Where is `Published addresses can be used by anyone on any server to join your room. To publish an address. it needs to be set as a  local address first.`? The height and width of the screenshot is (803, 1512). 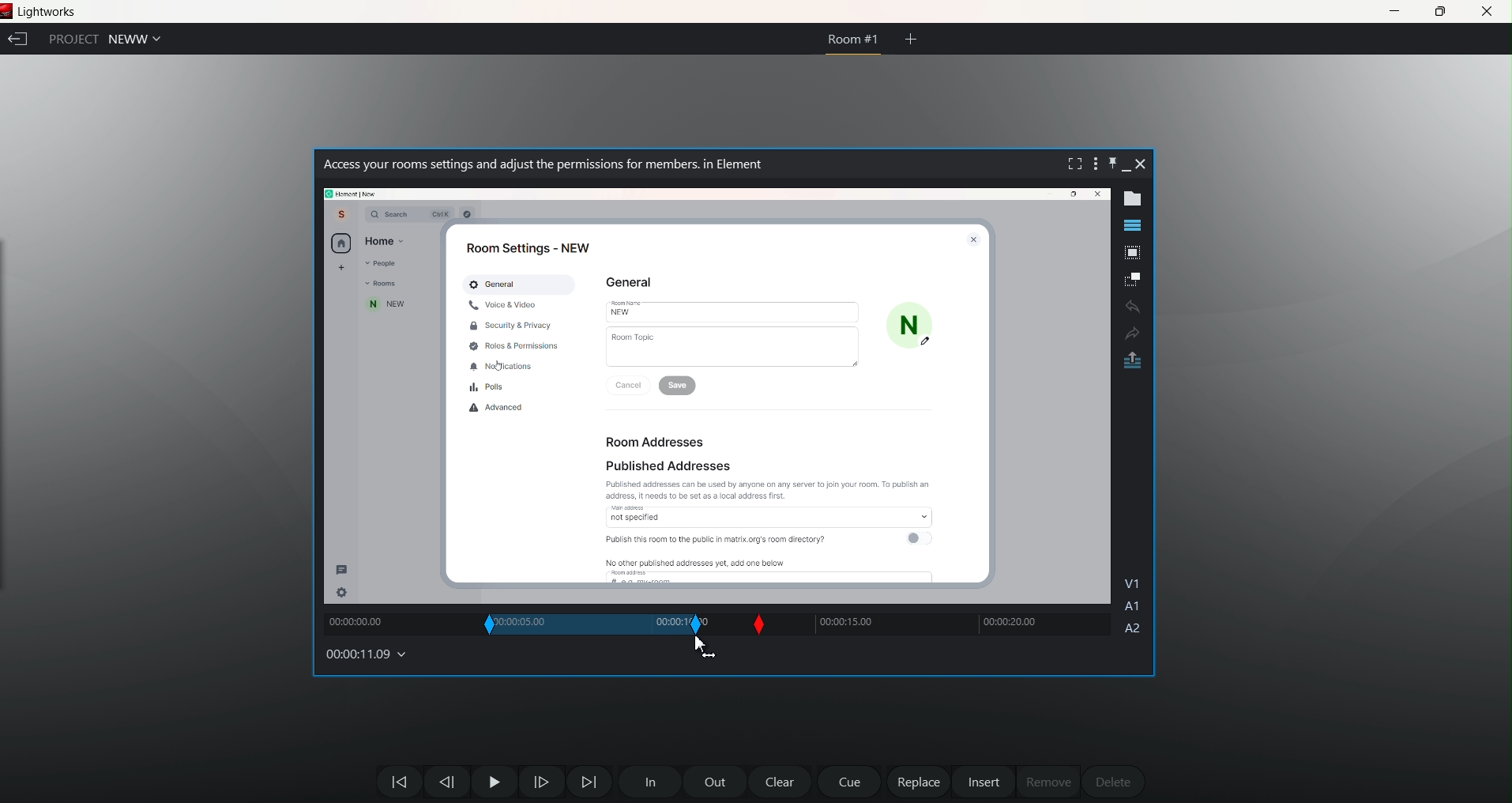 Published addresses can be used by anyone on any server to join your room. To publish an address. it needs to be set as a  local address first. is located at coordinates (769, 489).